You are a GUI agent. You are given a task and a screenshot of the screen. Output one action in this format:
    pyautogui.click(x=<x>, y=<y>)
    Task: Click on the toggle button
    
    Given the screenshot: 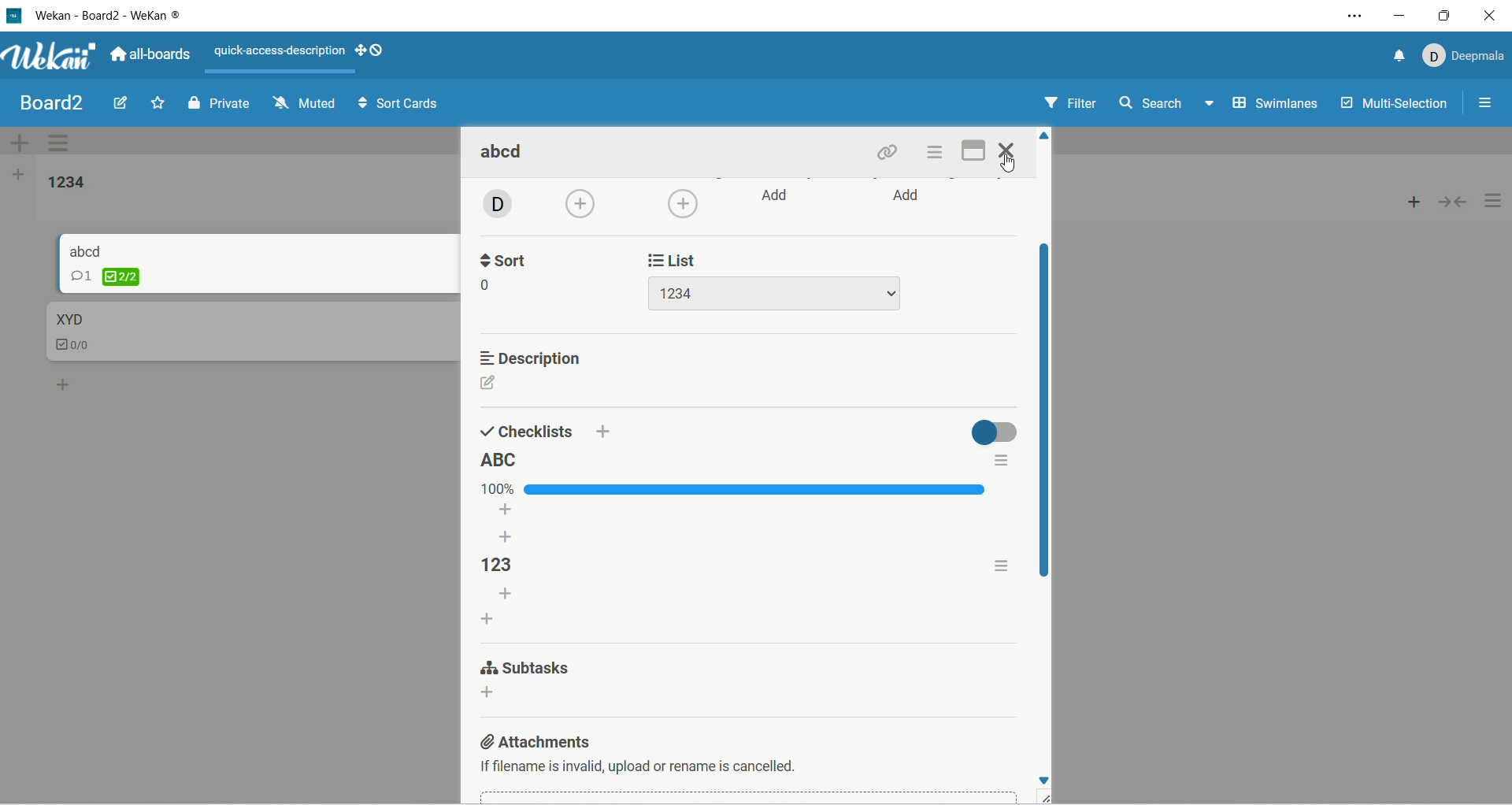 What is the action you would take?
    pyautogui.click(x=993, y=432)
    